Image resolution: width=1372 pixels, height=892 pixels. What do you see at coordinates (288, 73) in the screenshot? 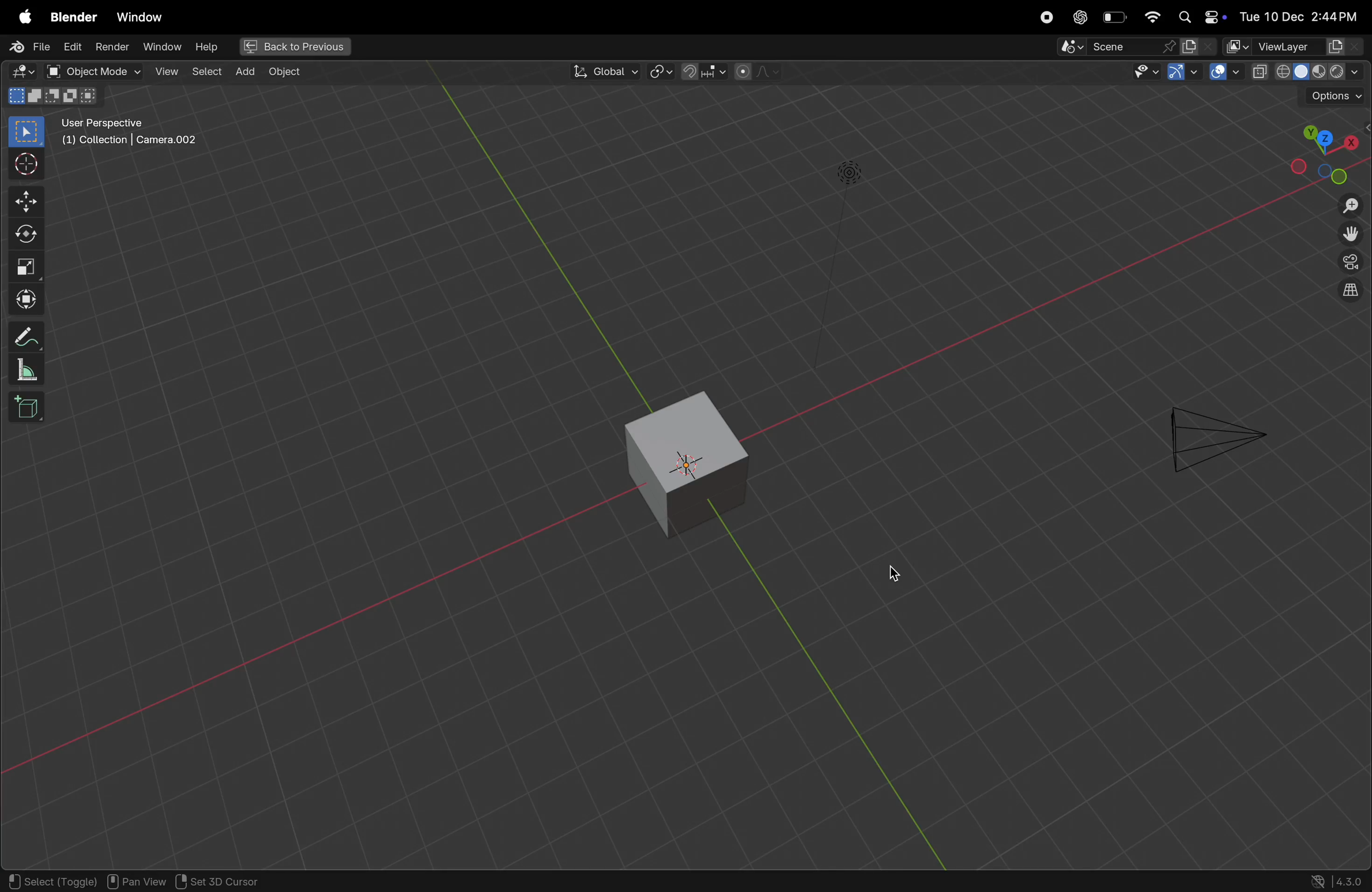
I see `Object` at bounding box center [288, 73].